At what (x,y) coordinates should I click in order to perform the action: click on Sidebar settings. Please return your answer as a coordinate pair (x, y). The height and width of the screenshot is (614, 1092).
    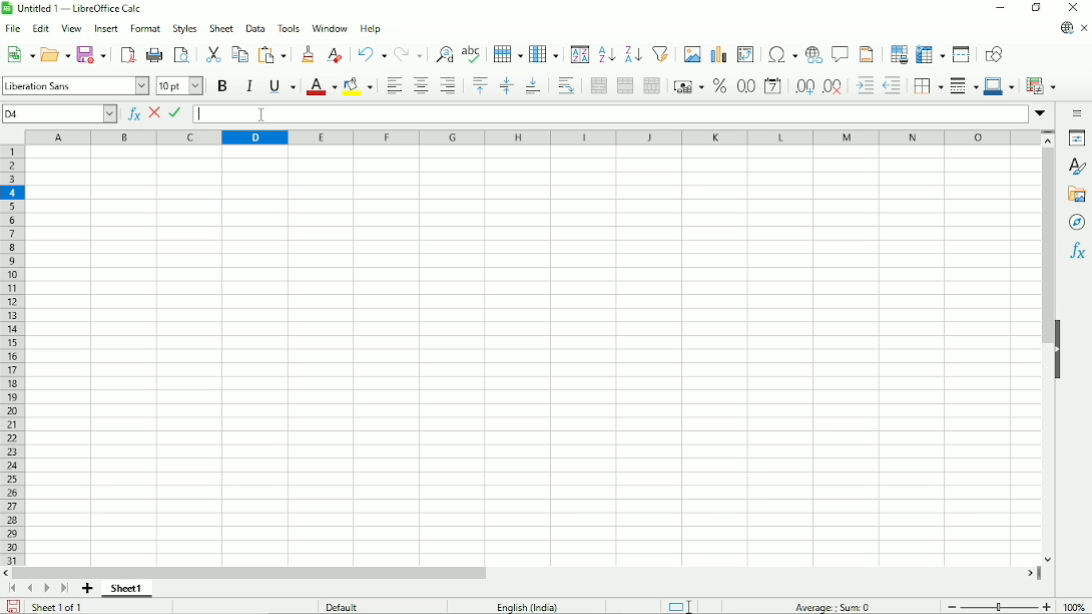
    Looking at the image, I should click on (1076, 115).